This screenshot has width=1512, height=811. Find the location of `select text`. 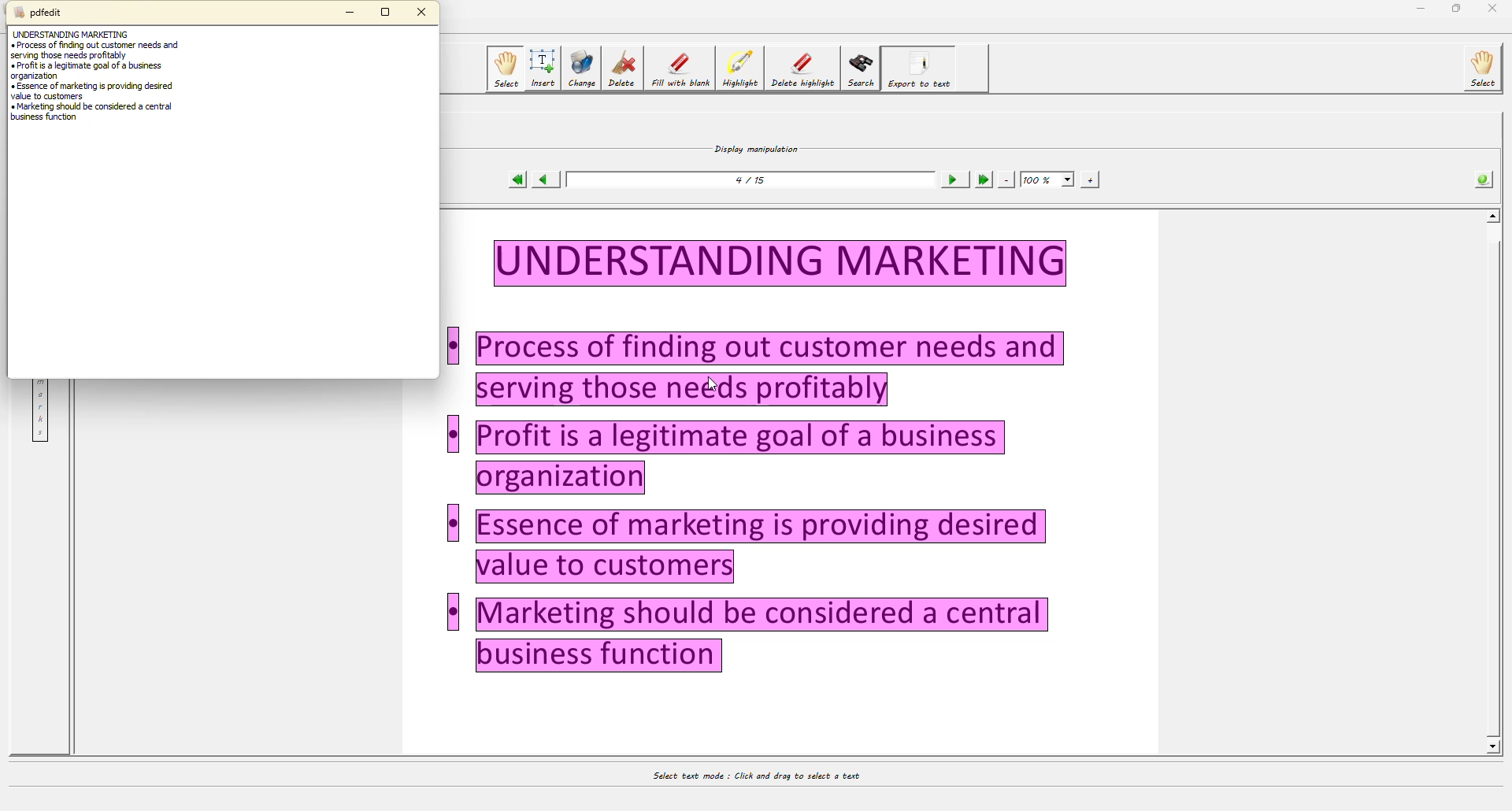

select text is located at coordinates (752, 774).